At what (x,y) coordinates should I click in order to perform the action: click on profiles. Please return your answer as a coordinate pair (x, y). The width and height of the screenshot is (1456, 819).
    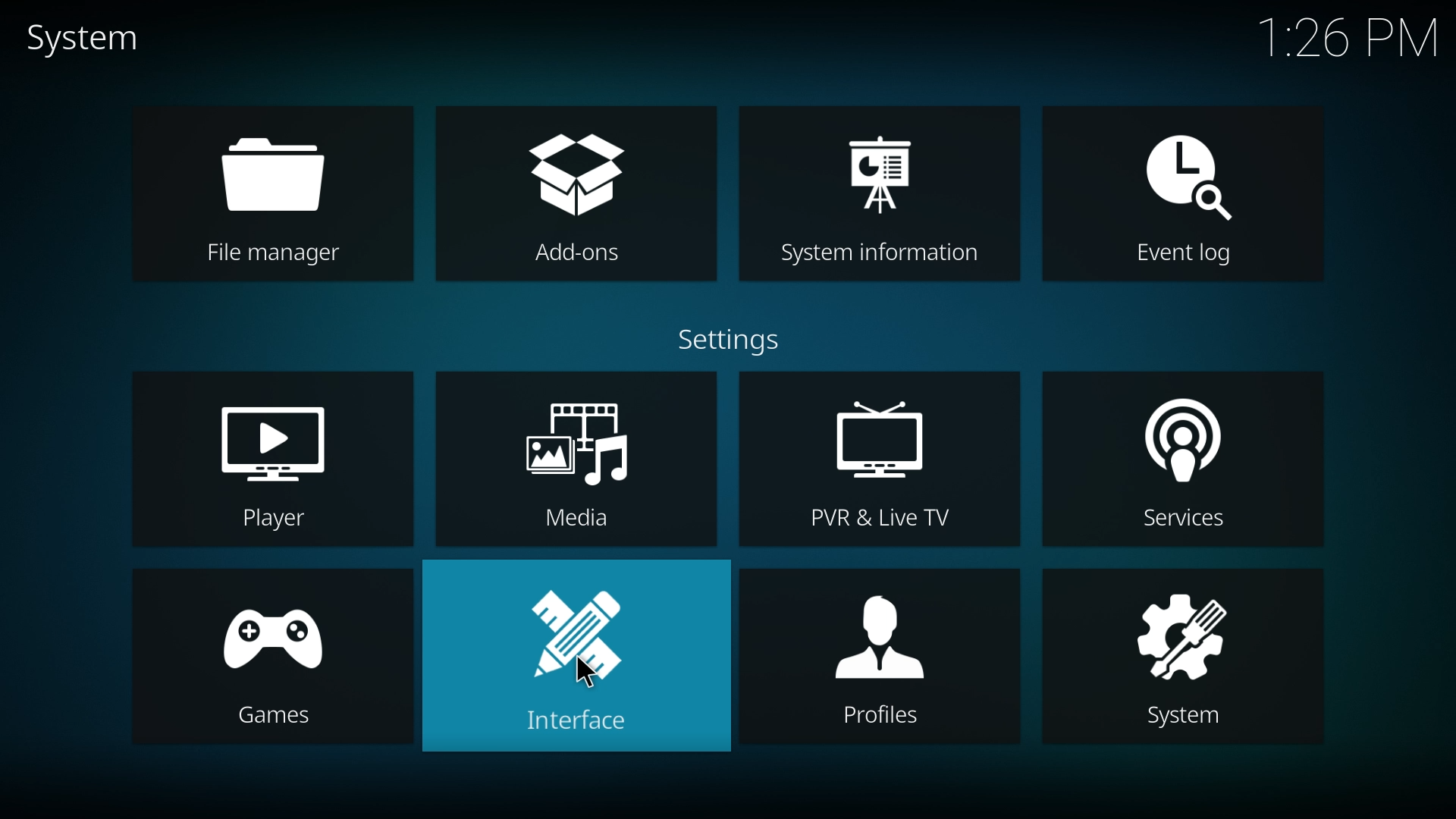
    Looking at the image, I should click on (880, 658).